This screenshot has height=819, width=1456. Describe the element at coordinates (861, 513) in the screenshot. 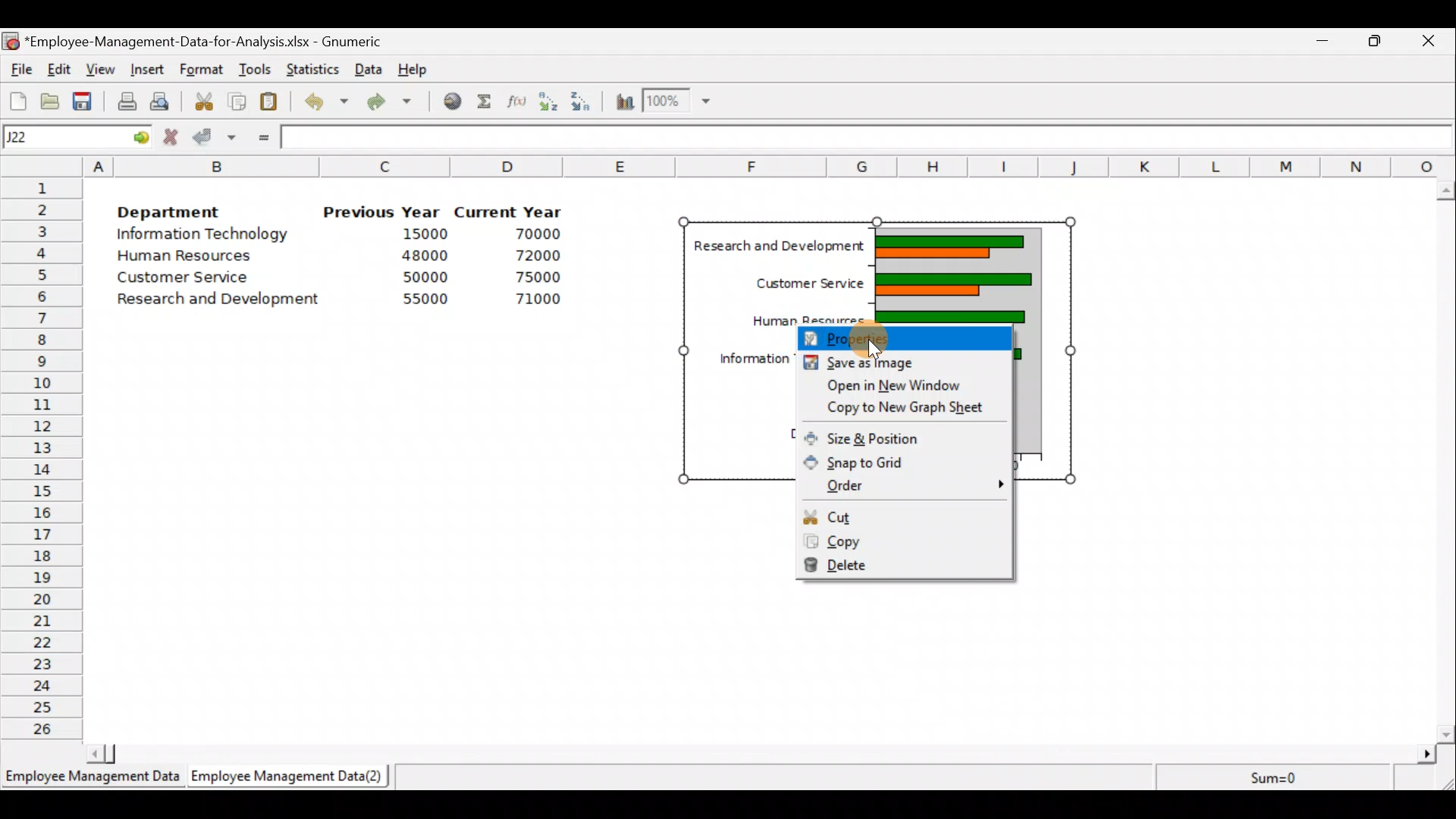

I see `Cut` at that location.